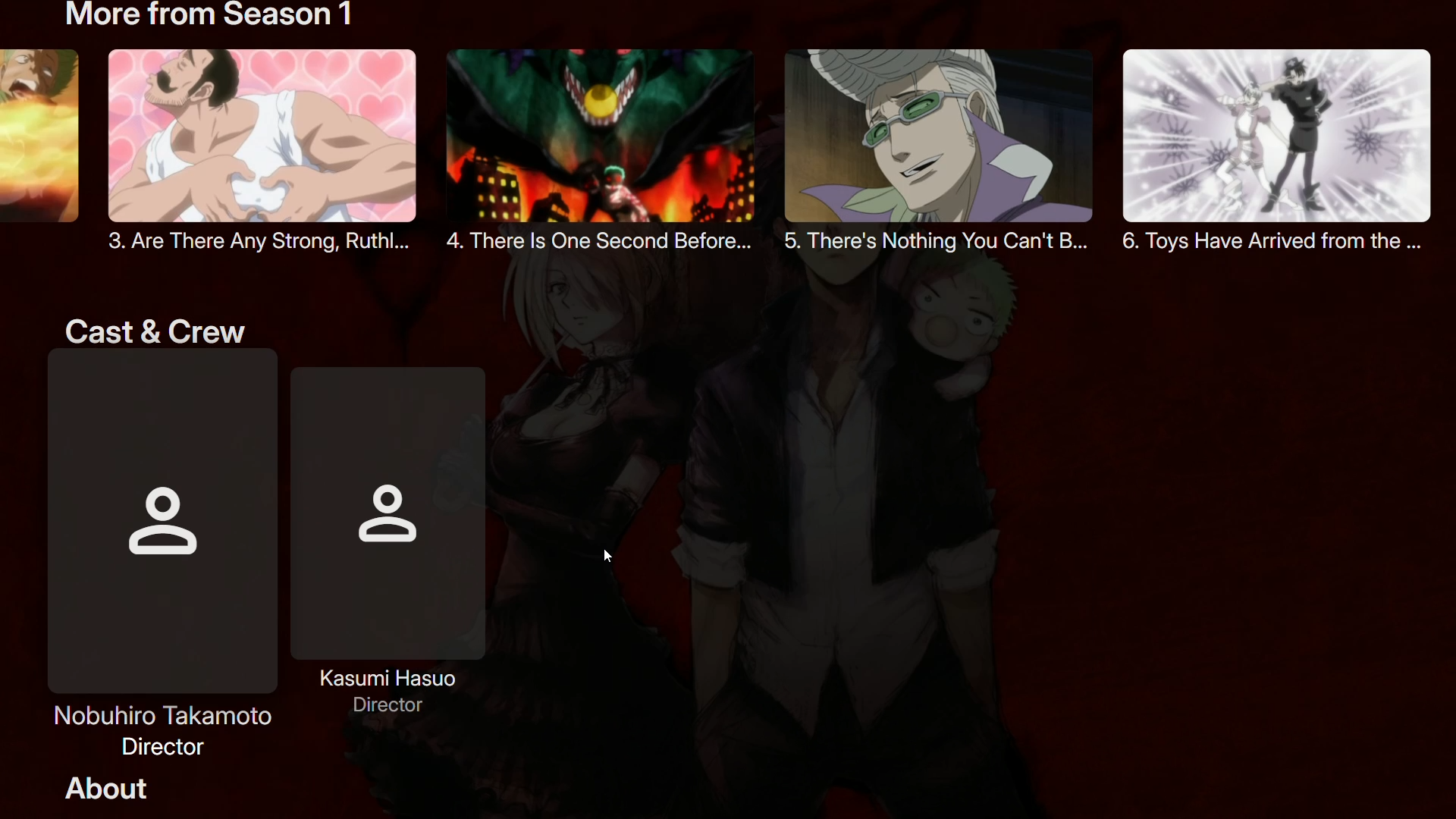 The width and height of the screenshot is (1456, 819). Describe the element at coordinates (254, 155) in the screenshot. I see `Are there any strong ruthless` at that location.